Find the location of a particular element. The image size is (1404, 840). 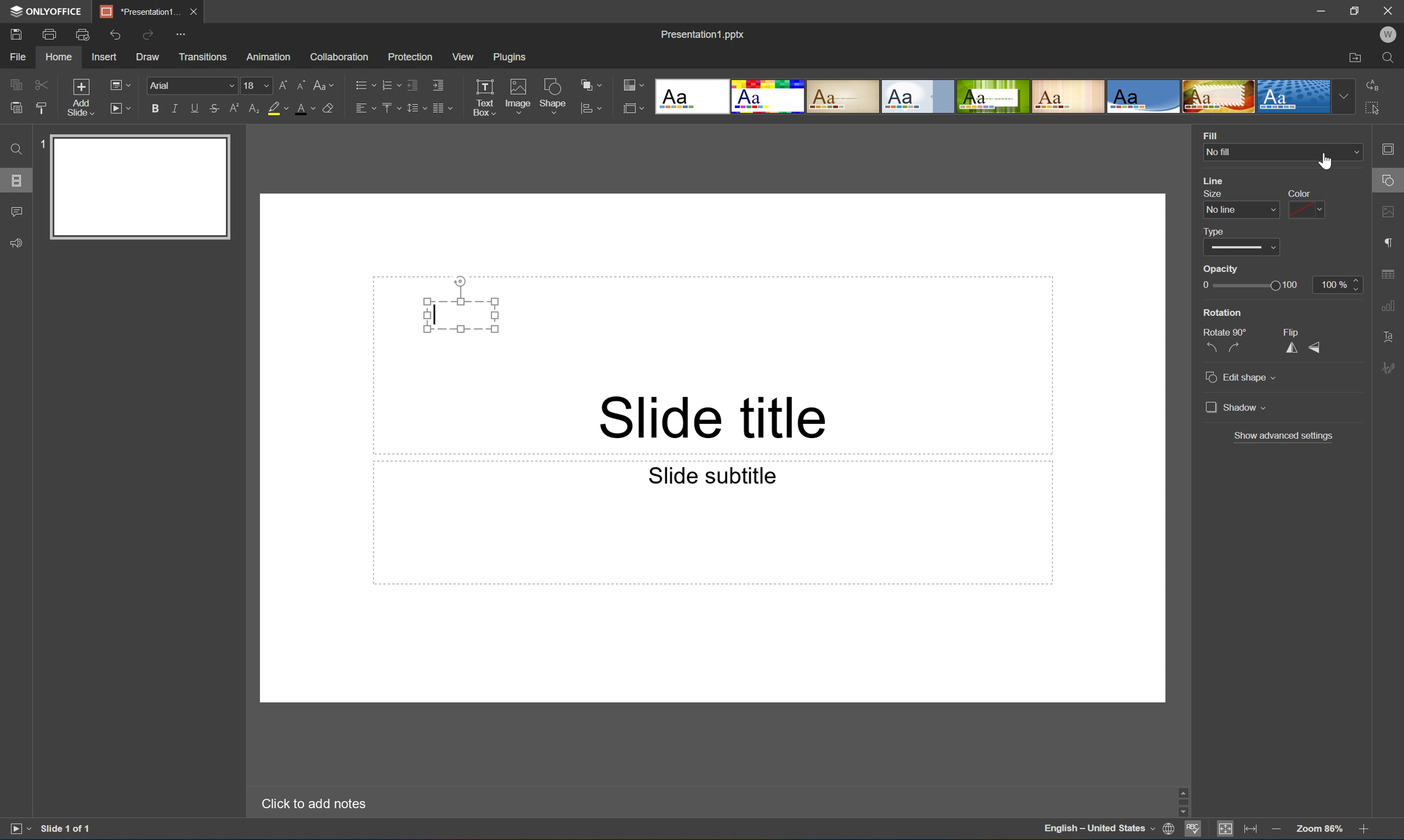

Feedback & Support is located at coordinates (18, 242).